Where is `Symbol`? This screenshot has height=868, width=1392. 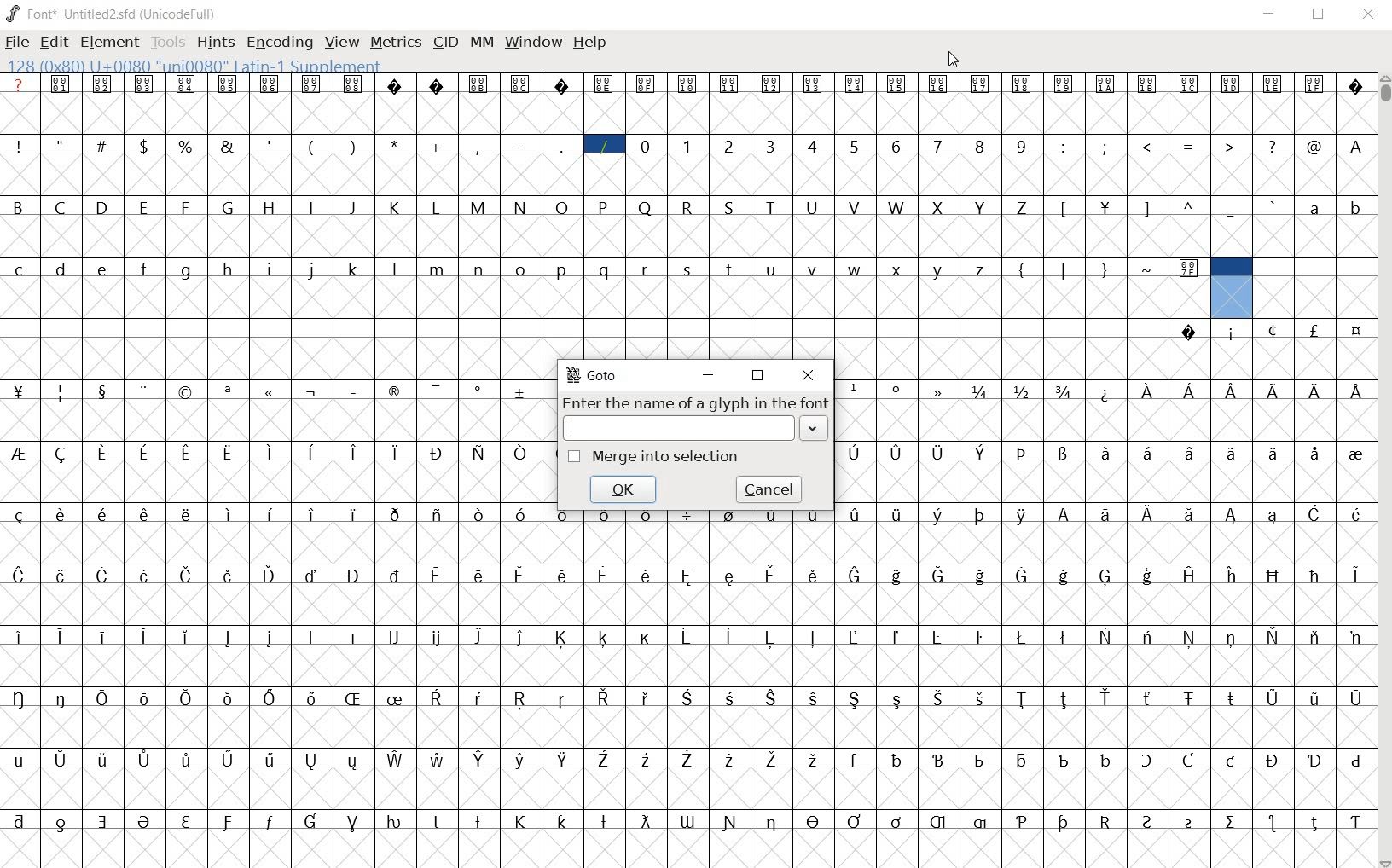
Symbol is located at coordinates (522, 514).